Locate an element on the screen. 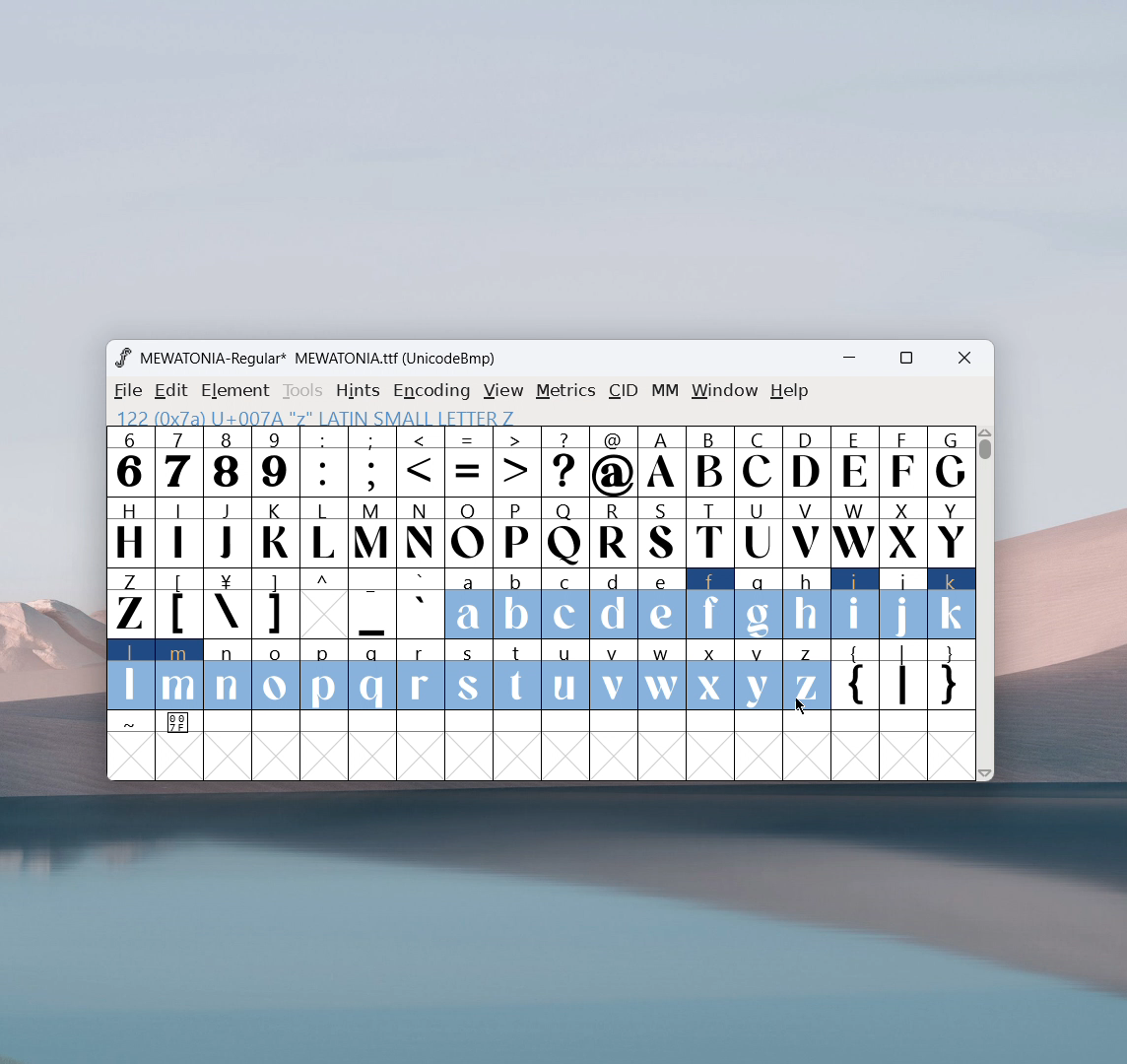 This screenshot has height=1064, width=1127. x is located at coordinates (711, 674).